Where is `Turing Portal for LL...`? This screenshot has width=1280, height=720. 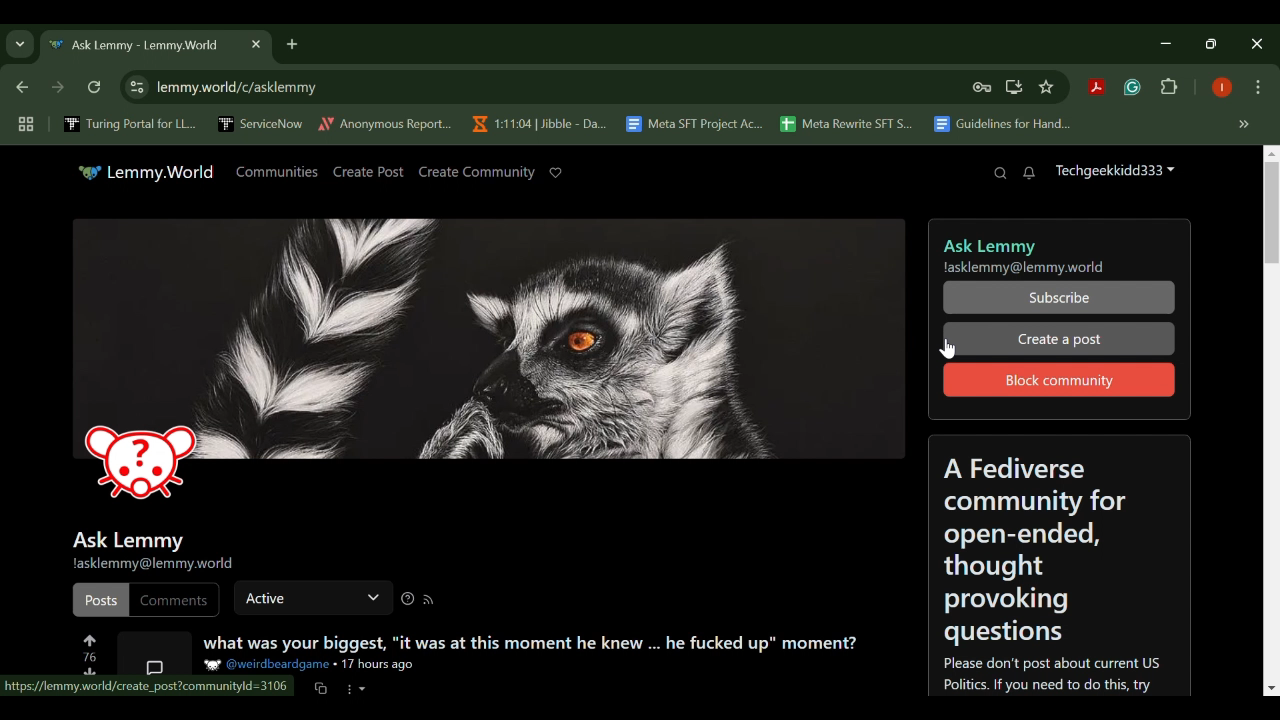 Turing Portal for LL... is located at coordinates (130, 126).